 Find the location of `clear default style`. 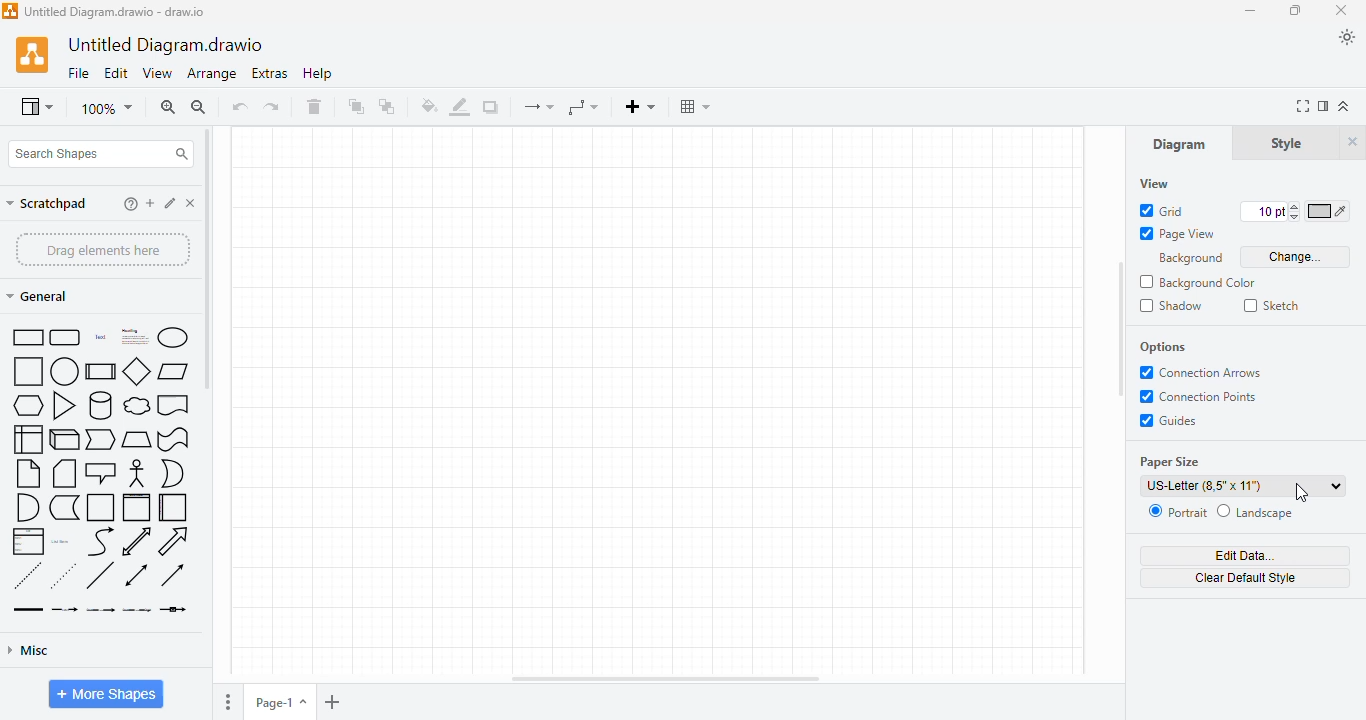

clear default style is located at coordinates (1247, 579).